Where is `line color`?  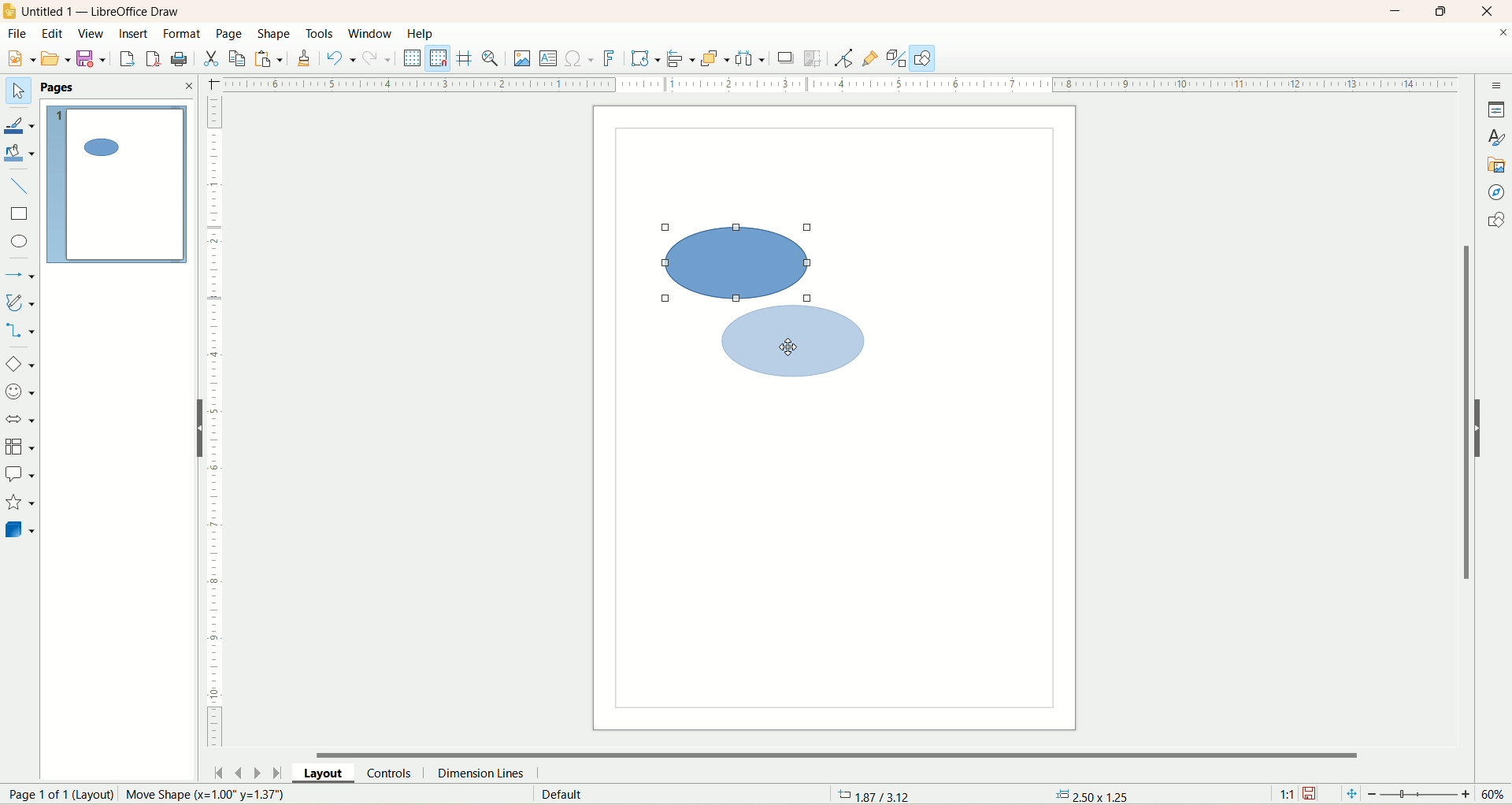 line color is located at coordinates (21, 122).